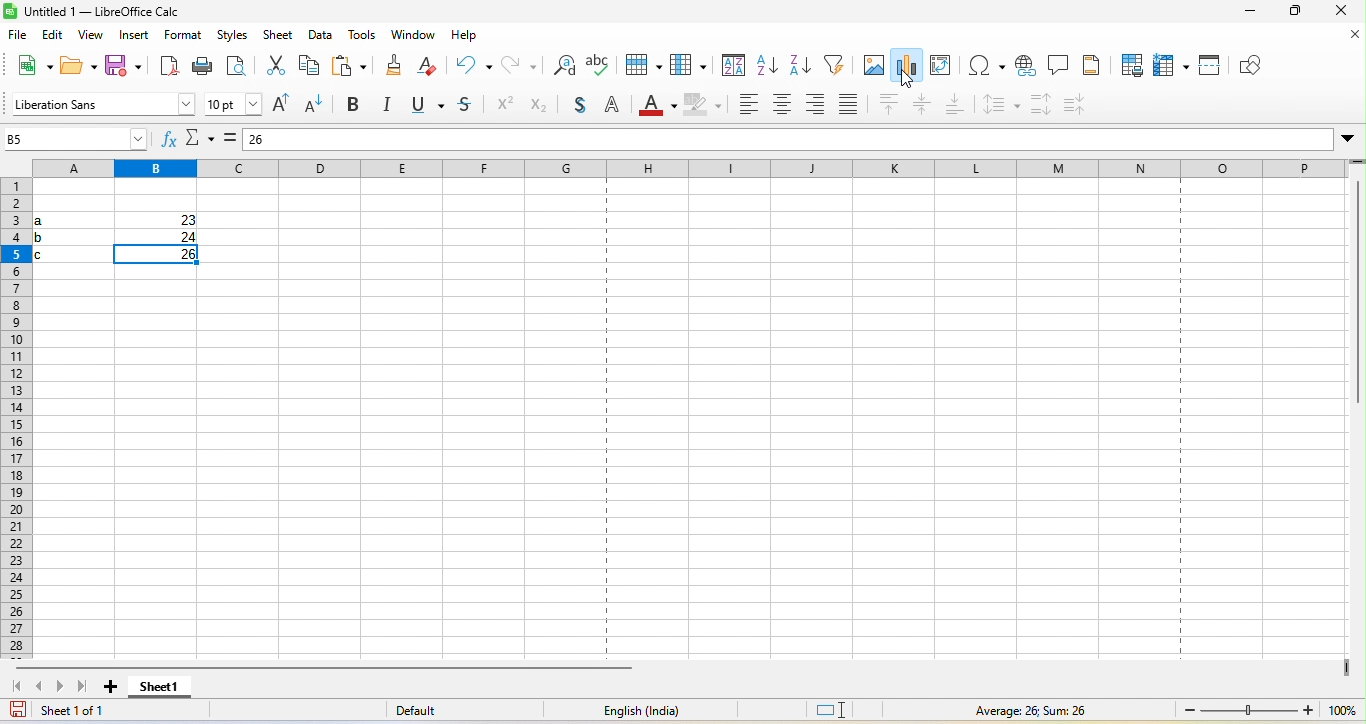 This screenshot has width=1366, height=724. Describe the element at coordinates (28, 69) in the screenshot. I see `new` at that location.